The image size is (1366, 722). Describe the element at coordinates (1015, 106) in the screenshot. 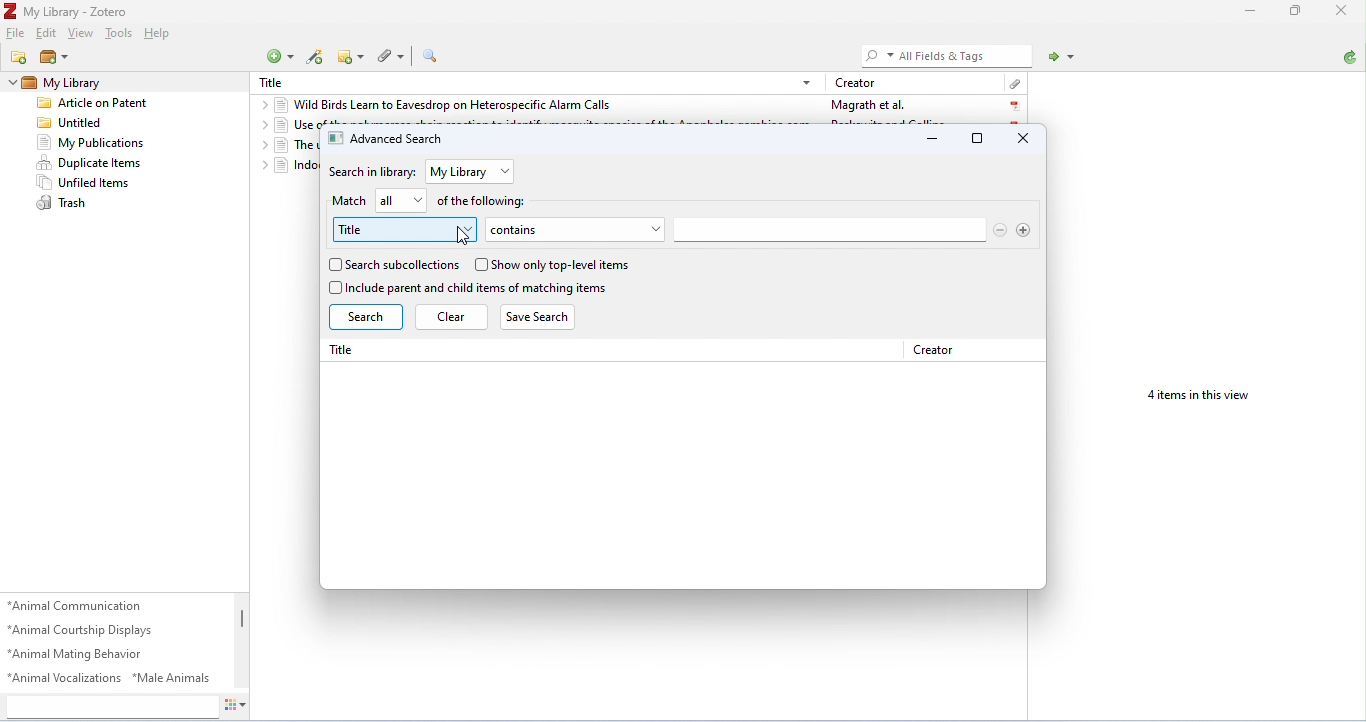

I see `pdf icon` at that location.